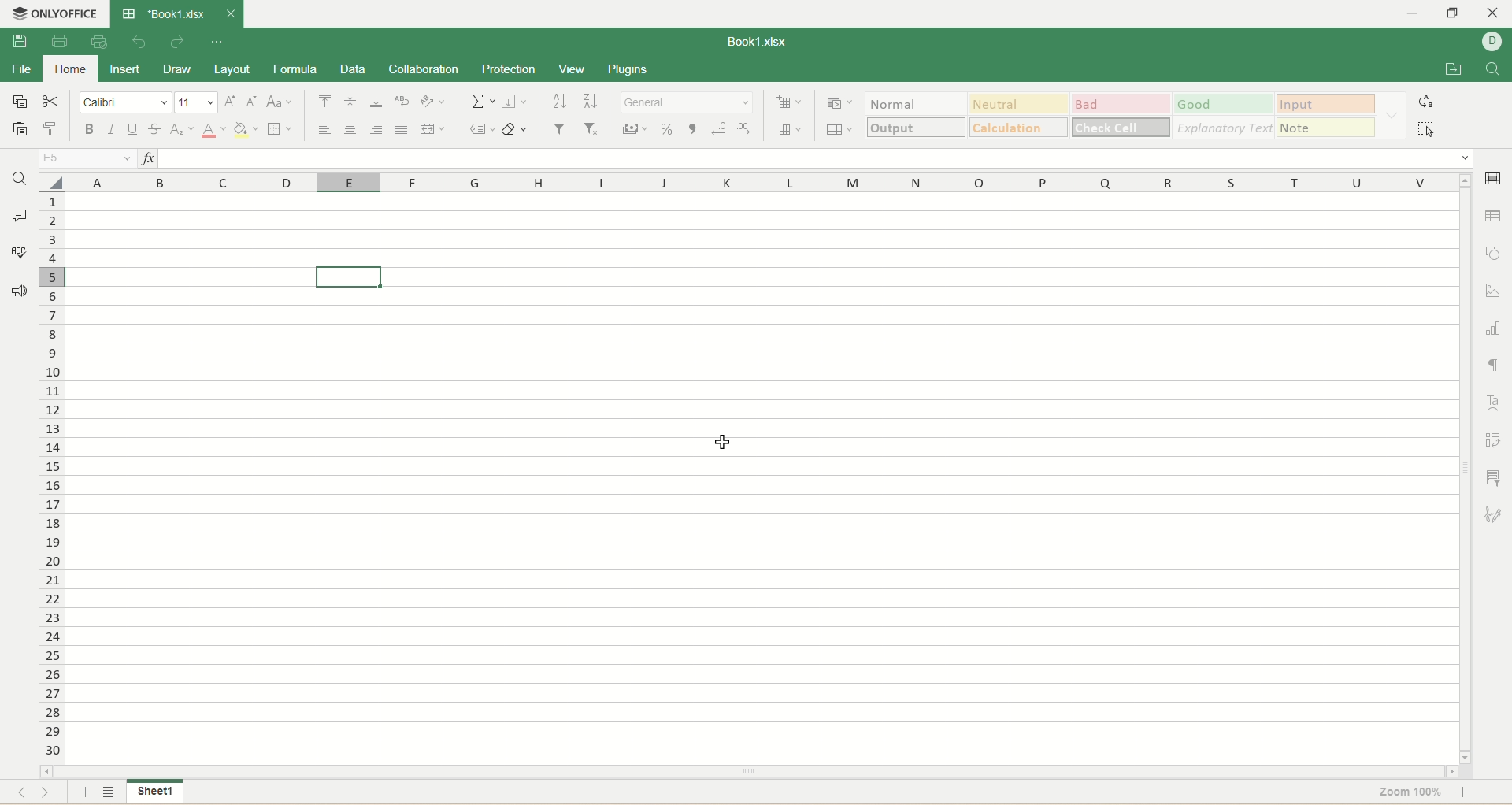 Image resolution: width=1512 pixels, height=805 pixels. I want to click on orientation, so click(434, 102).